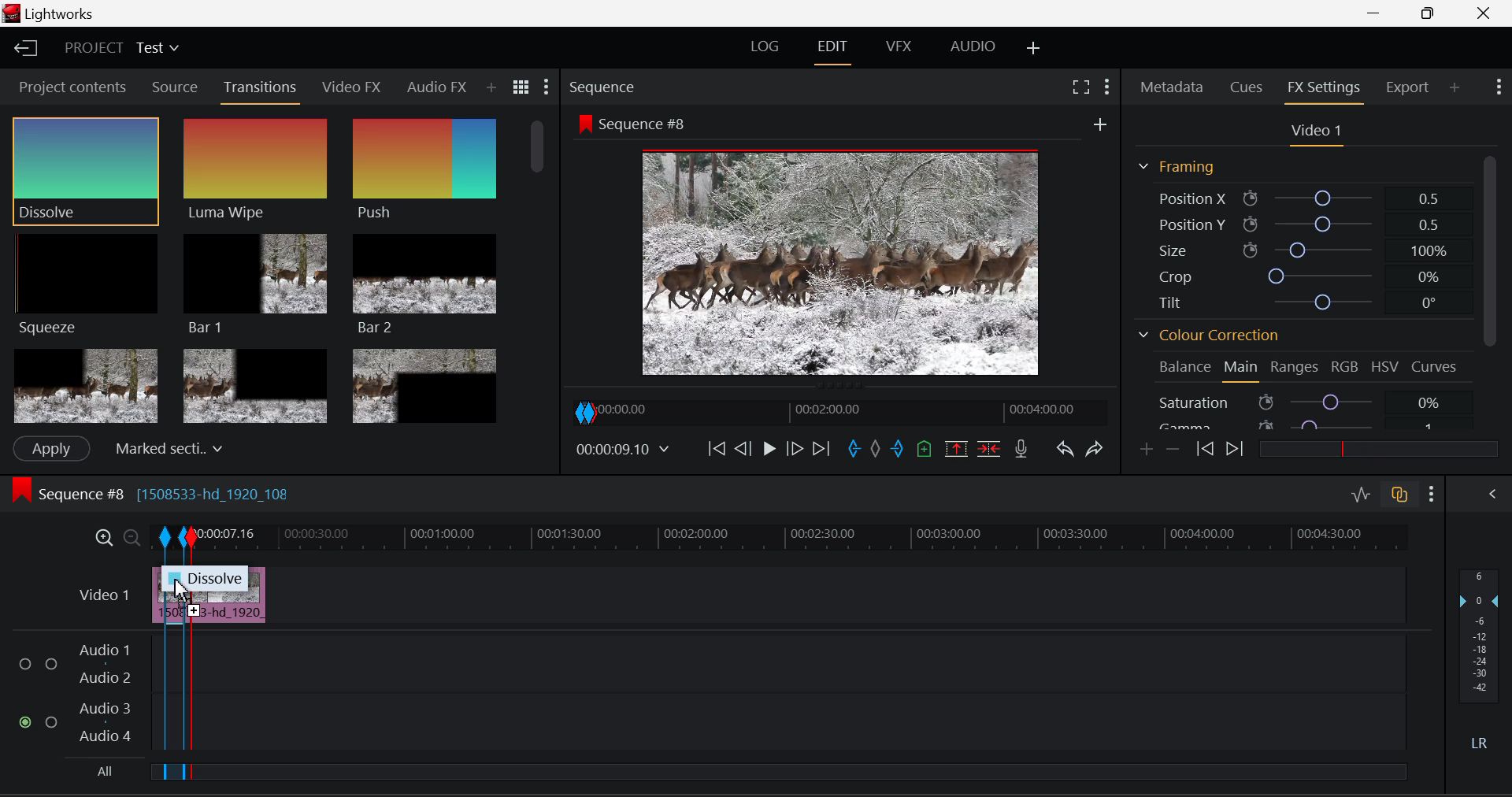  What do you see at coordinates (84, 387) in the screenshot?
I see `Box 1` at bounding box center [84, 387].